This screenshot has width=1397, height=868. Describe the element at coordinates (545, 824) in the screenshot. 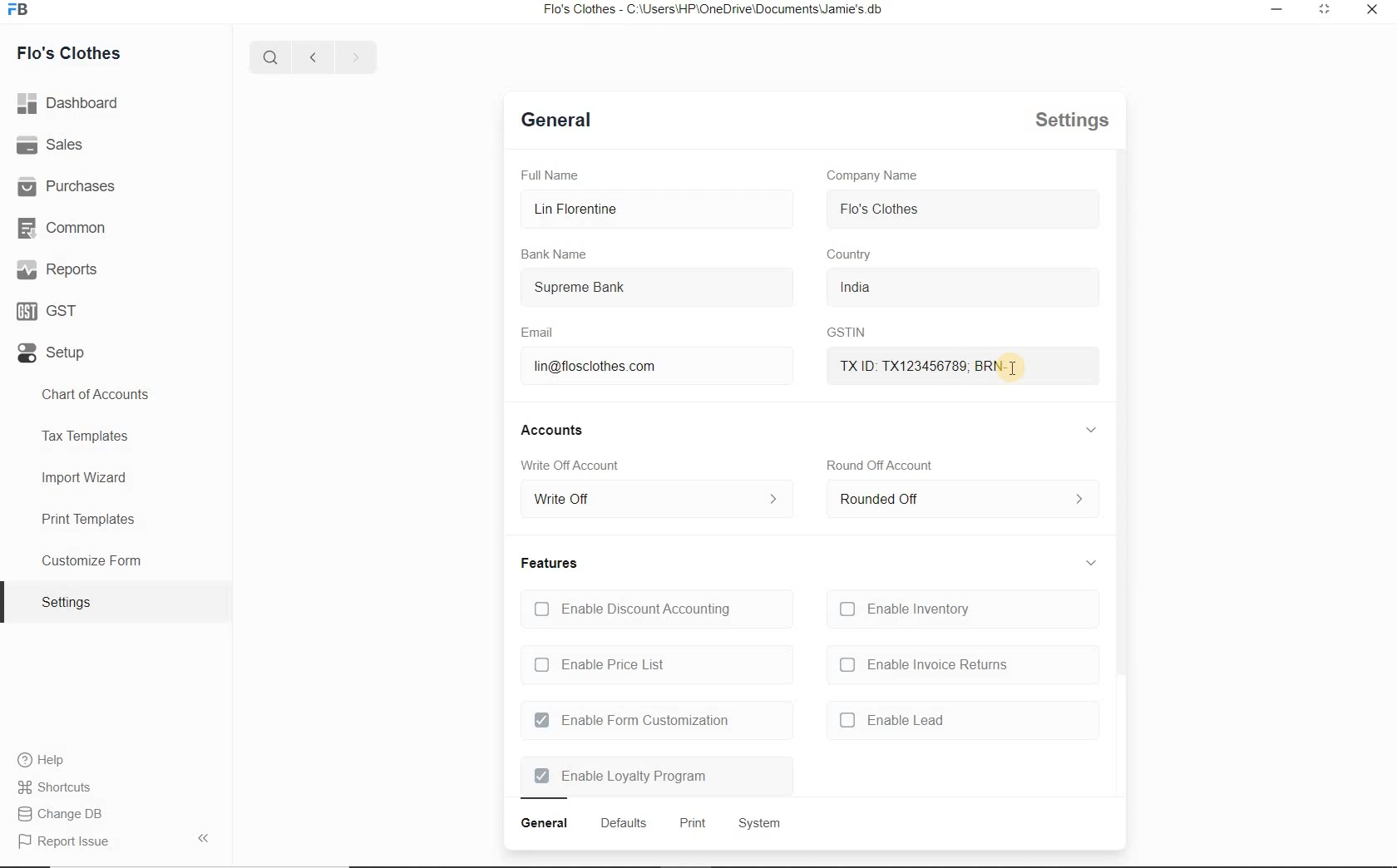

I see `general` at that location.